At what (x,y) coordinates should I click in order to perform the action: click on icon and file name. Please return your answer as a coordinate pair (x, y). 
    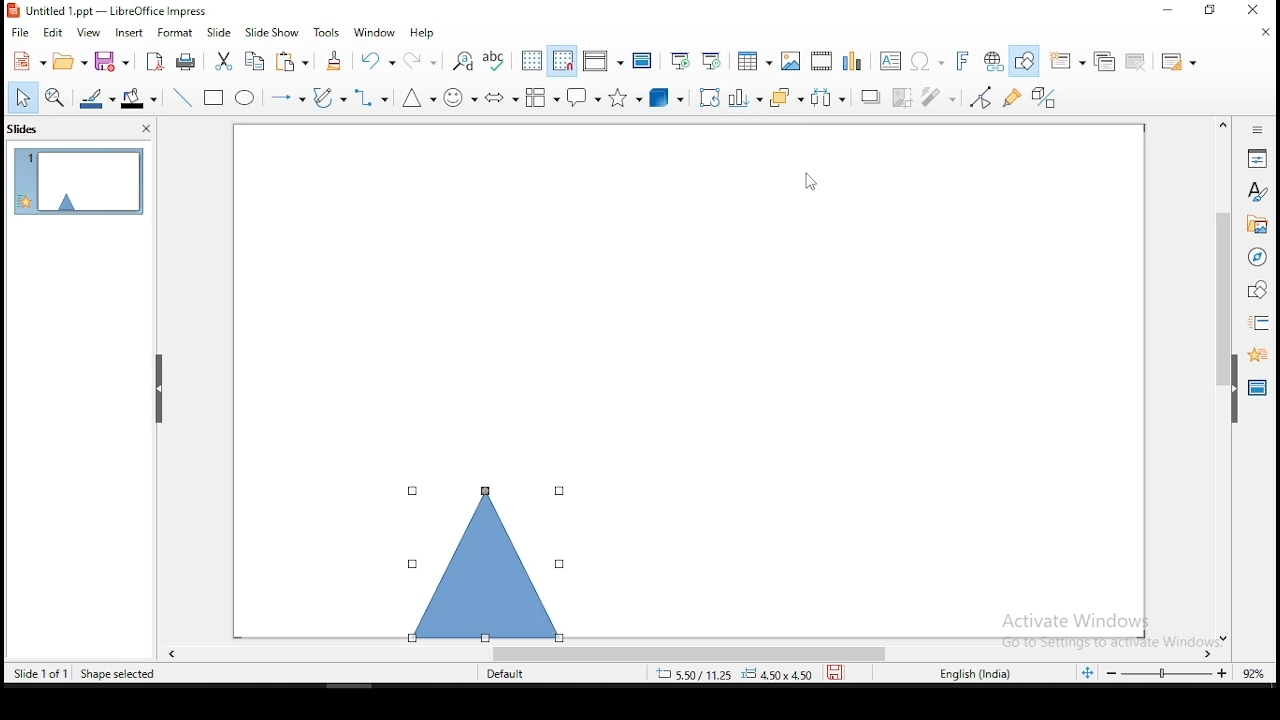
    Looking at the image, I should click on (111, 11).